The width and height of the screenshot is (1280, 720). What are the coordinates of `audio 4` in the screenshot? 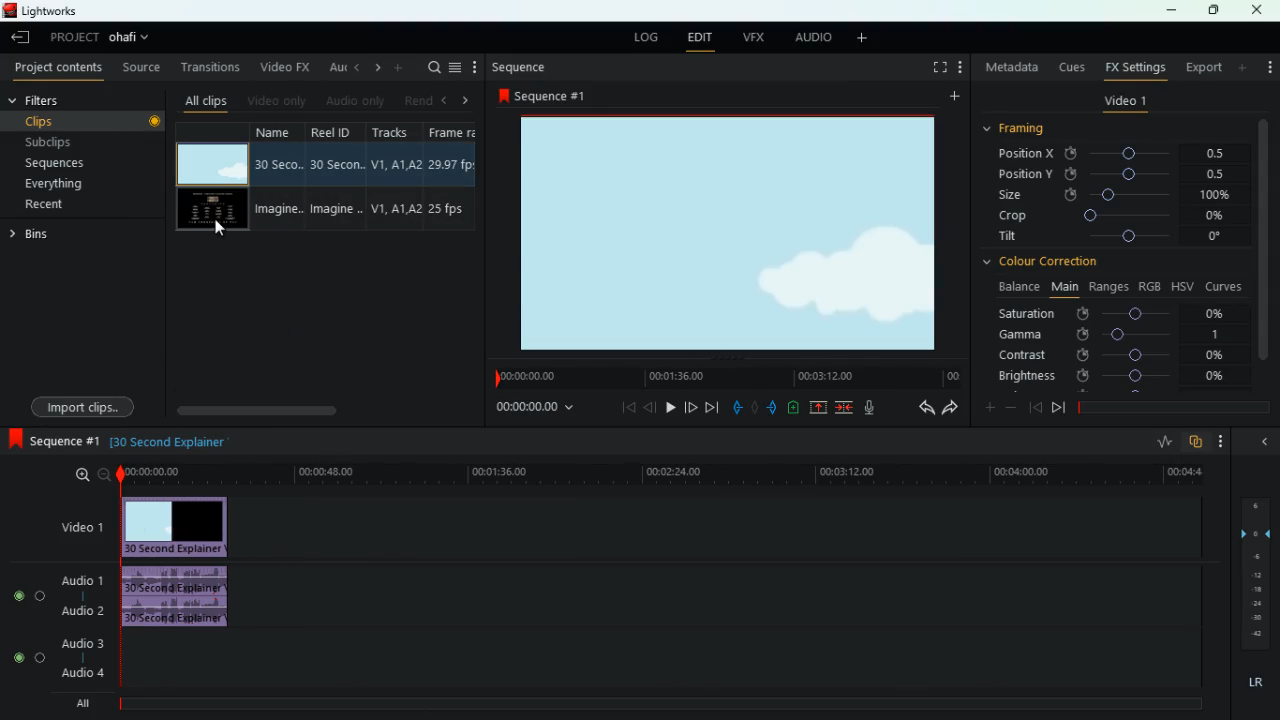 It's located at (82, 674).